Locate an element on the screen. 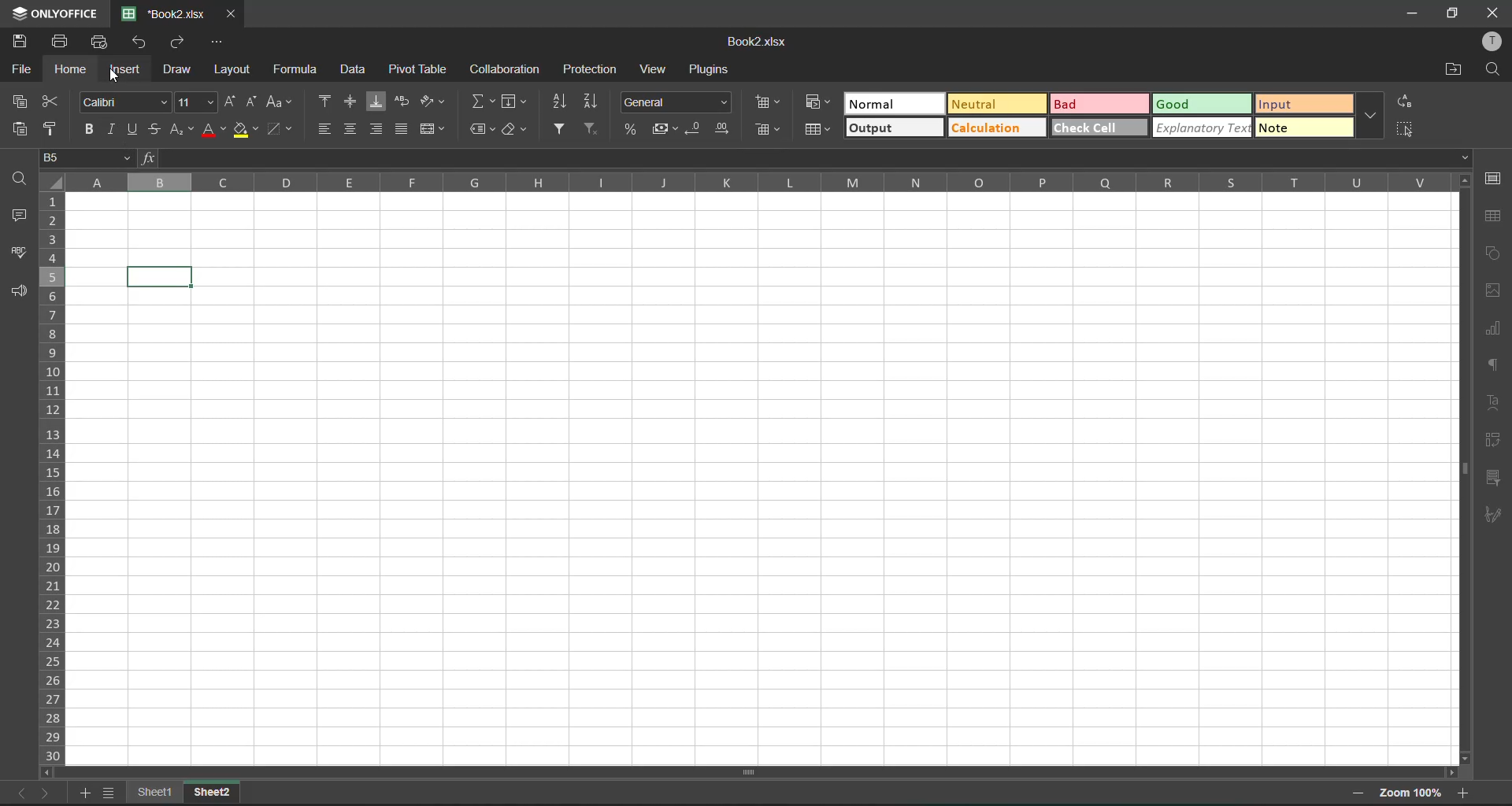 The image size is (1512, 806). named ranges is located at coordinates (483, 130).